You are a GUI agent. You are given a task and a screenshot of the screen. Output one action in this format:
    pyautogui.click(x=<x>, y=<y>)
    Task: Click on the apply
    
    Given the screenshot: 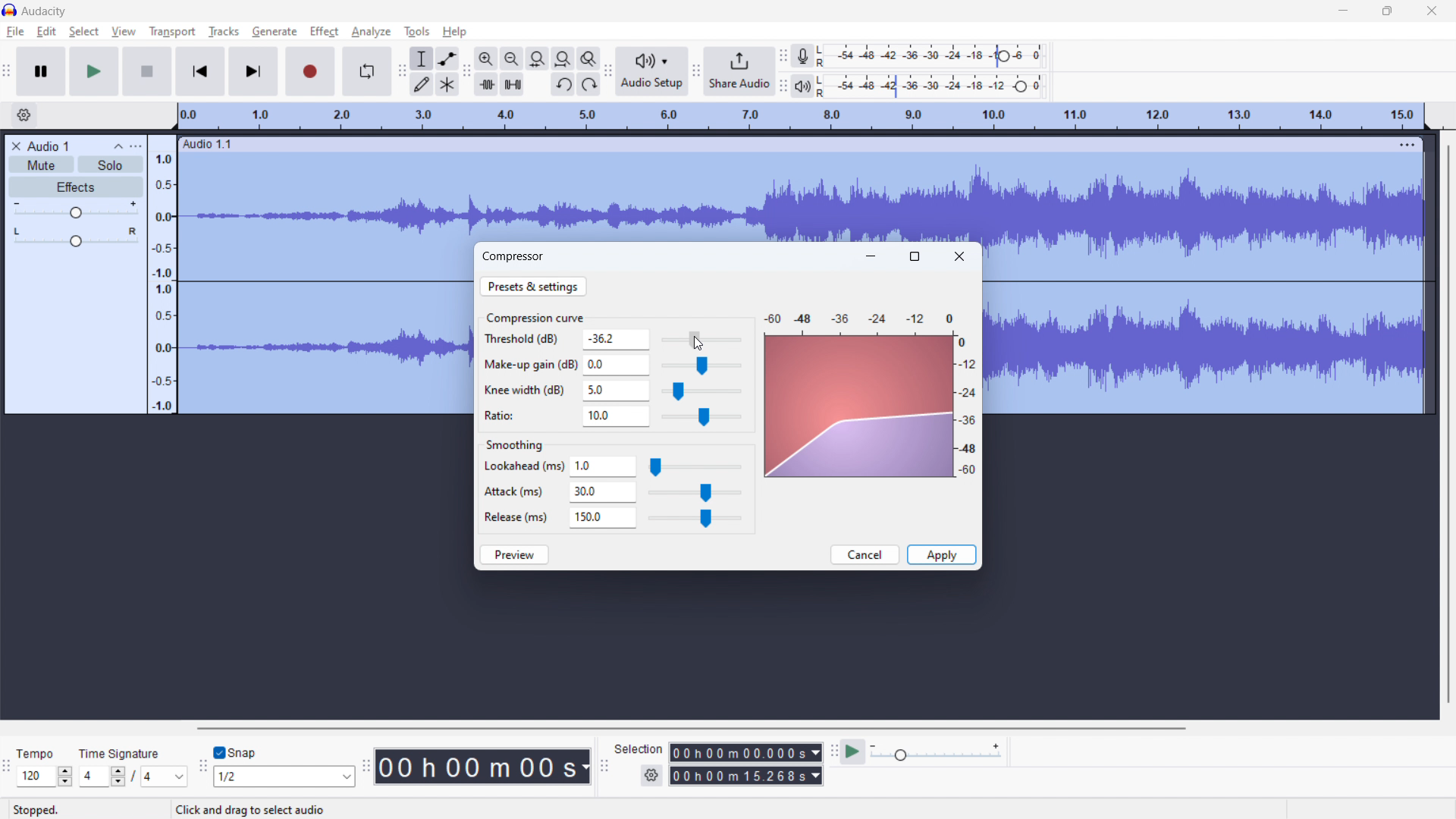 What is the action you would take?
    pyautogui.click(x=941, y=555)
    